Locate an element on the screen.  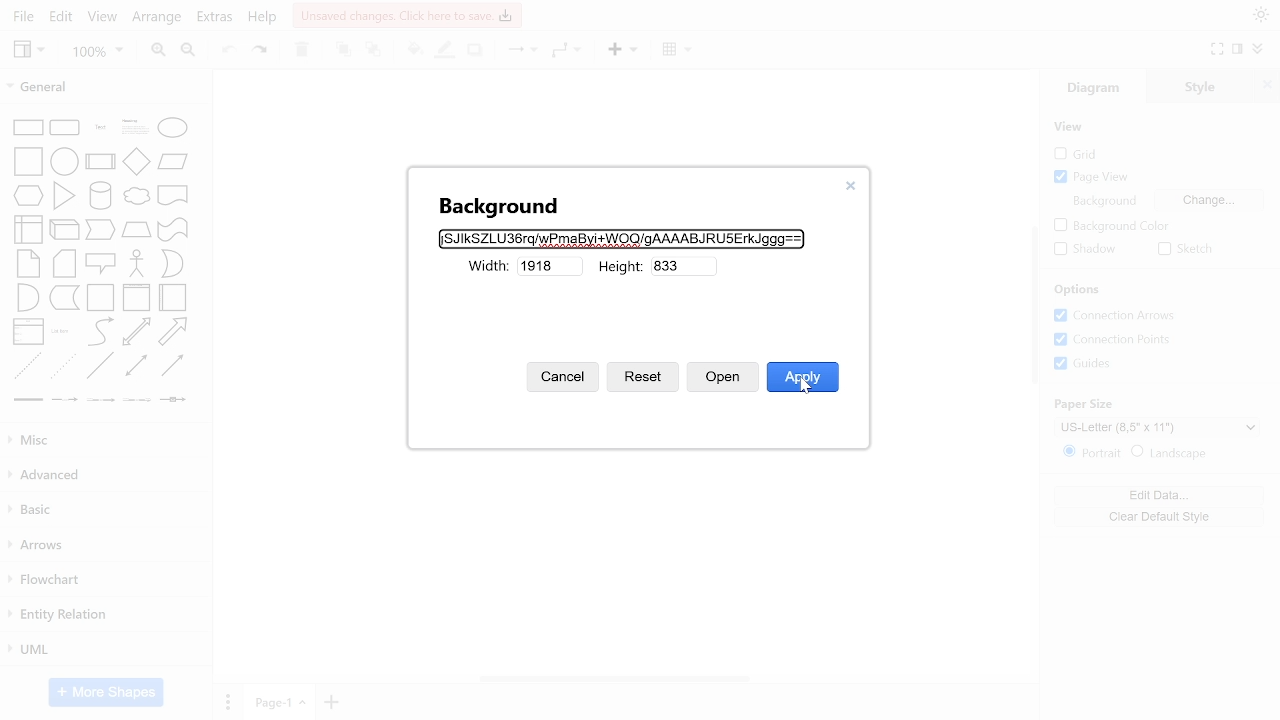
general shapes is located at coordinates (170, 127).